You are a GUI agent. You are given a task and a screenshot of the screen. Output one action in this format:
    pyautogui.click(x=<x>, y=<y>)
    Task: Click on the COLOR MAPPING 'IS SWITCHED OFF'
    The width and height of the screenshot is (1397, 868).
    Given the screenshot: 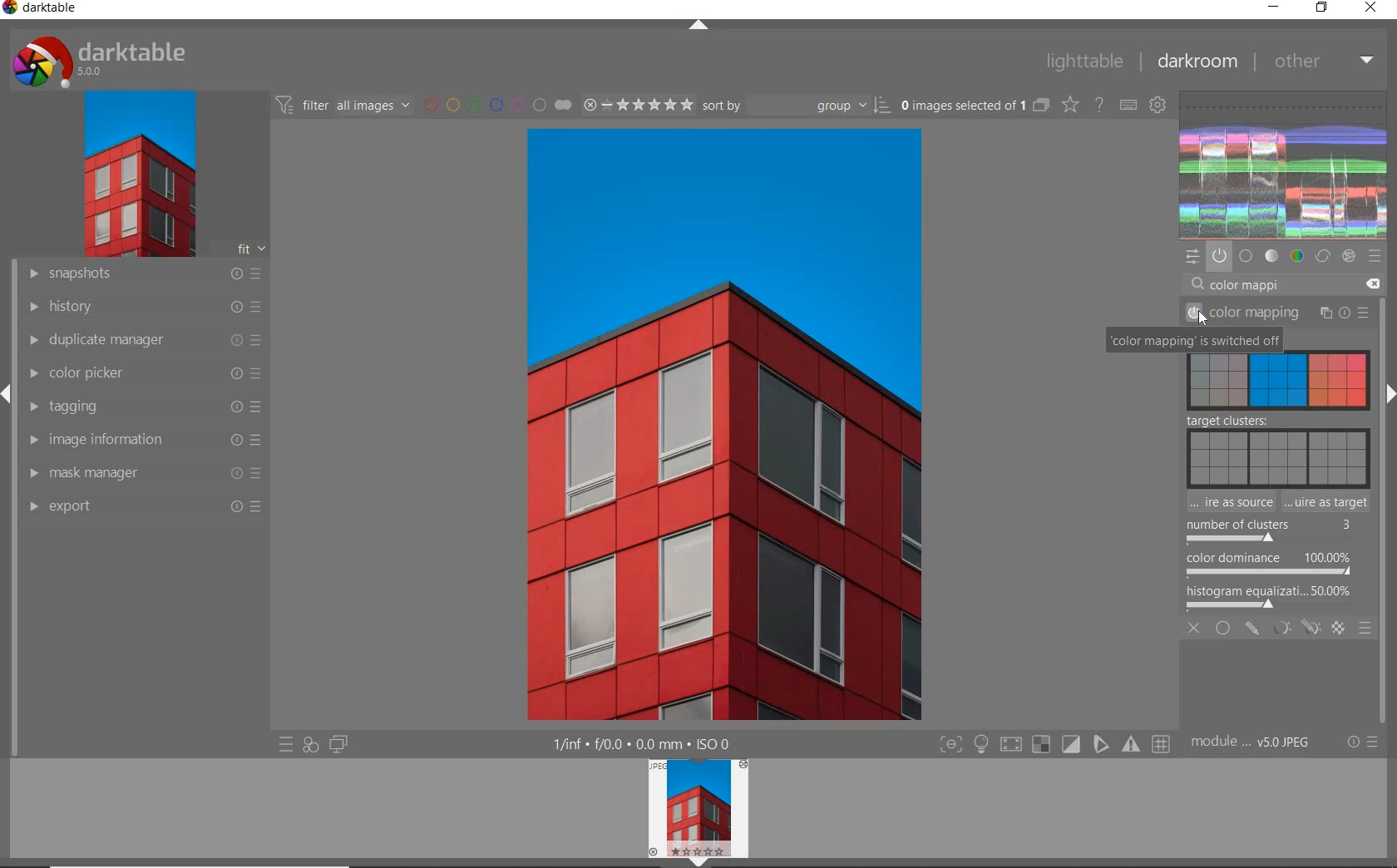 What is the action you would take?
    pyautogui.click(x=1193, y=343)
    